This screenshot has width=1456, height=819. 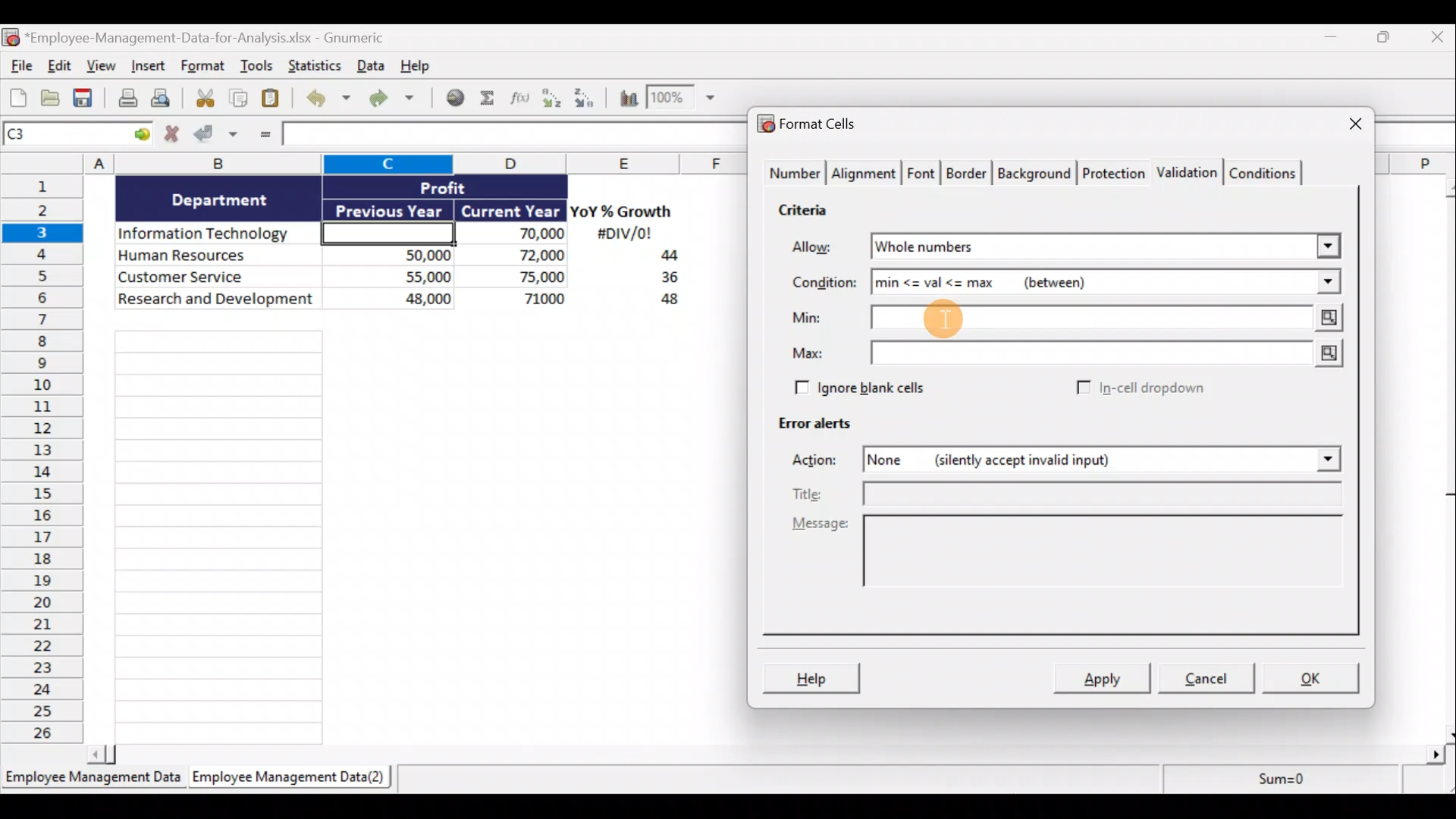 I want to click on Undo last action, so click(x=331, y=99).